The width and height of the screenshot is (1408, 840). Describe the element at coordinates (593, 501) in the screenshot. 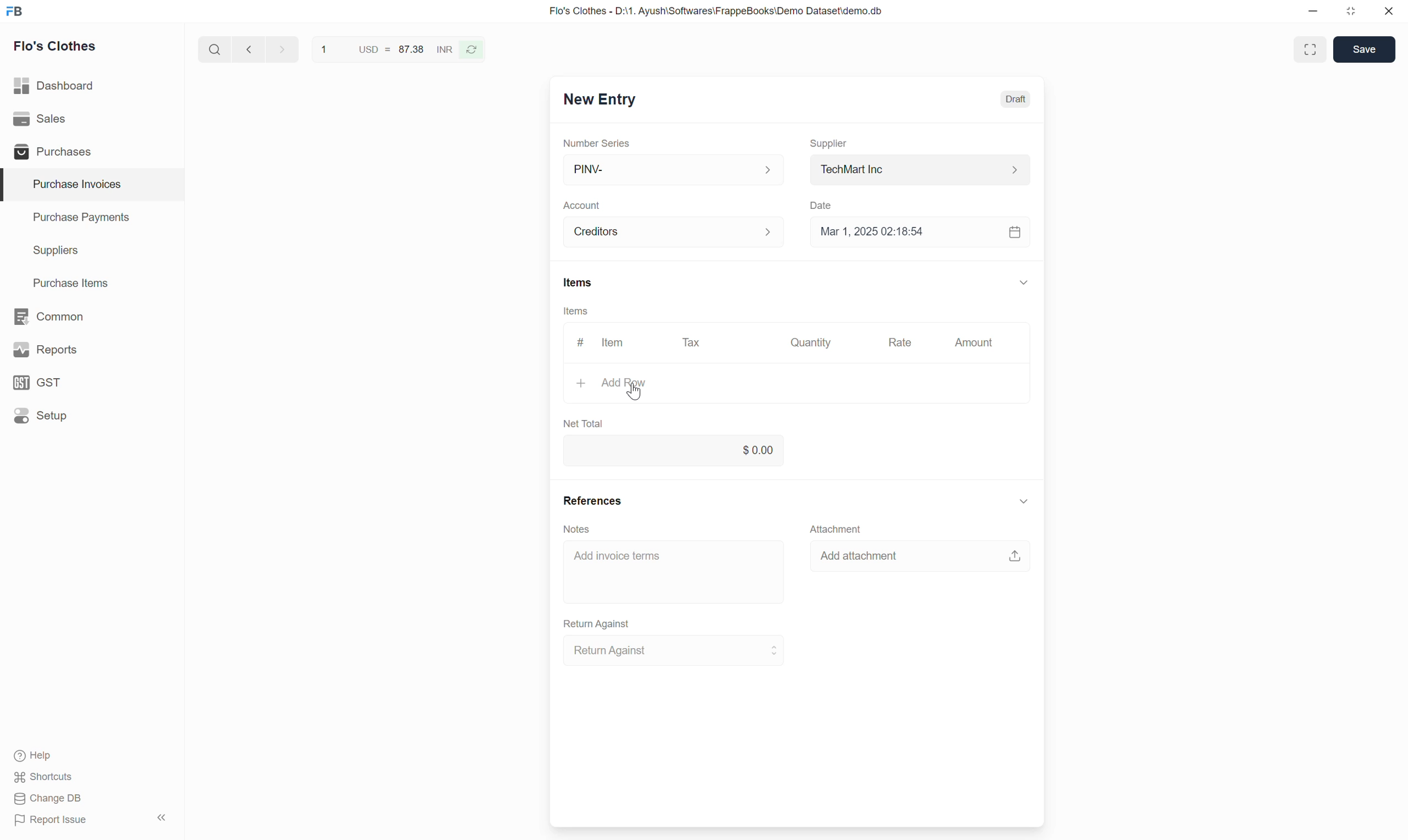

I see `References` at that location.